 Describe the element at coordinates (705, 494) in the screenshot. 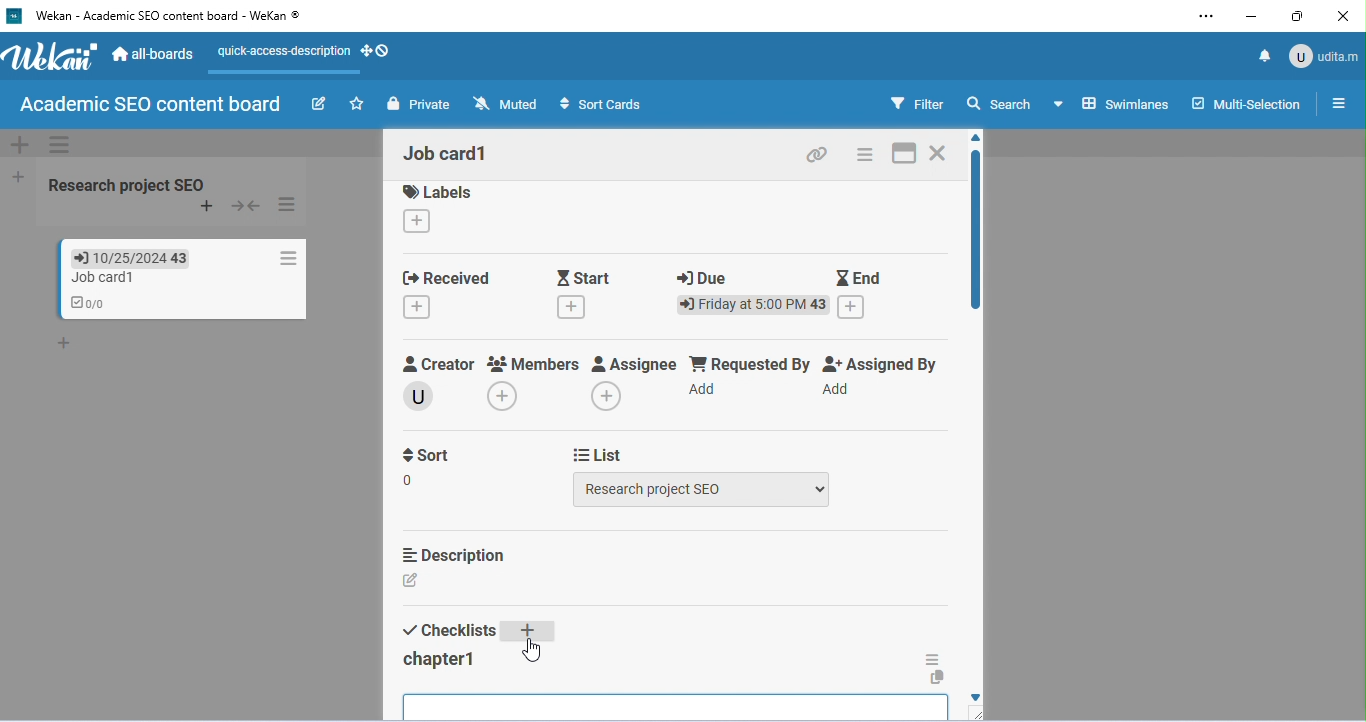

I see `select list` at that location.